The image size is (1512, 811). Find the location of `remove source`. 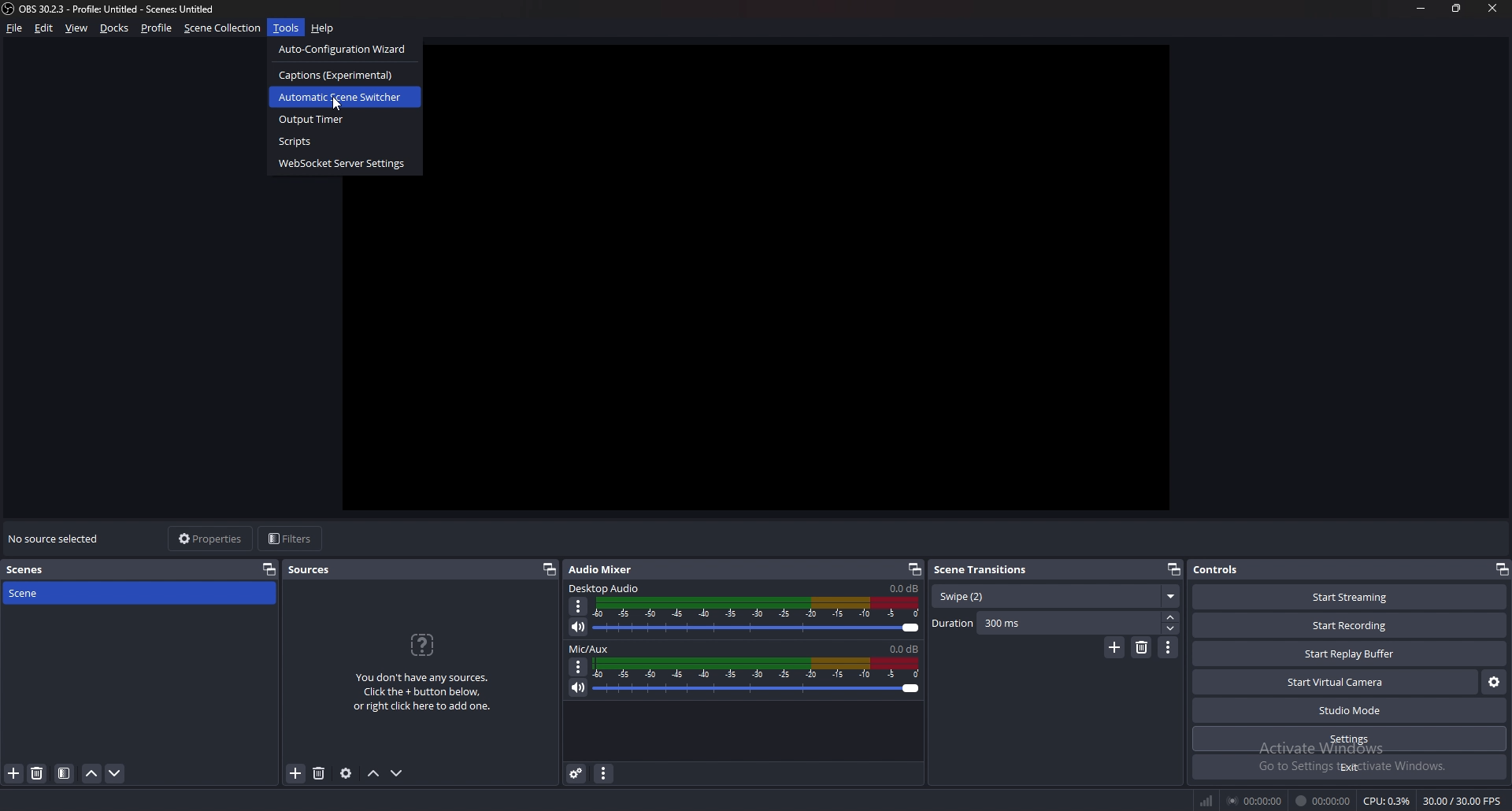

remove source is located at coordinates (319, 774).